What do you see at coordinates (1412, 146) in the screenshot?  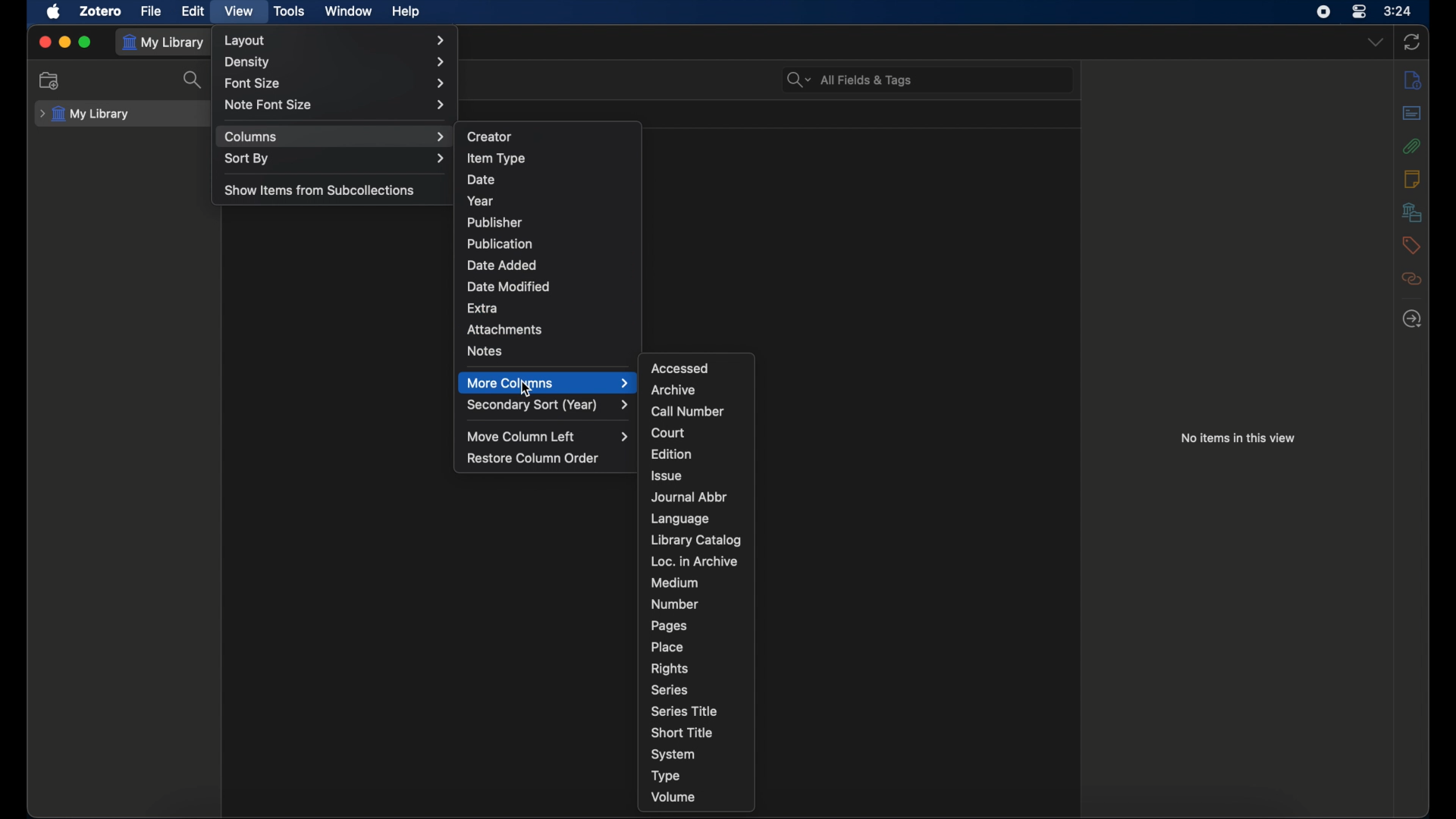 I see `attachments` at bounding box center [1412, 146].